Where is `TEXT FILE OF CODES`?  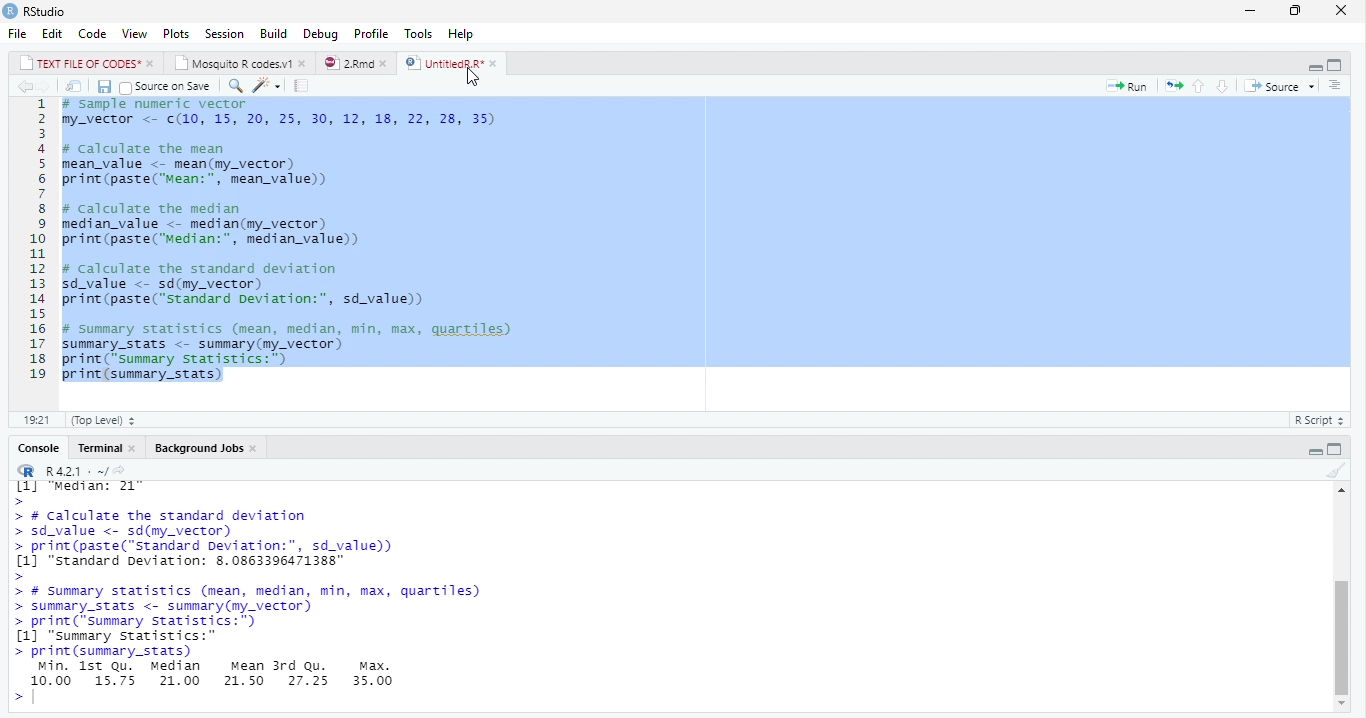 TEXT FILE OF CODES is located at coordinates (82, 65).